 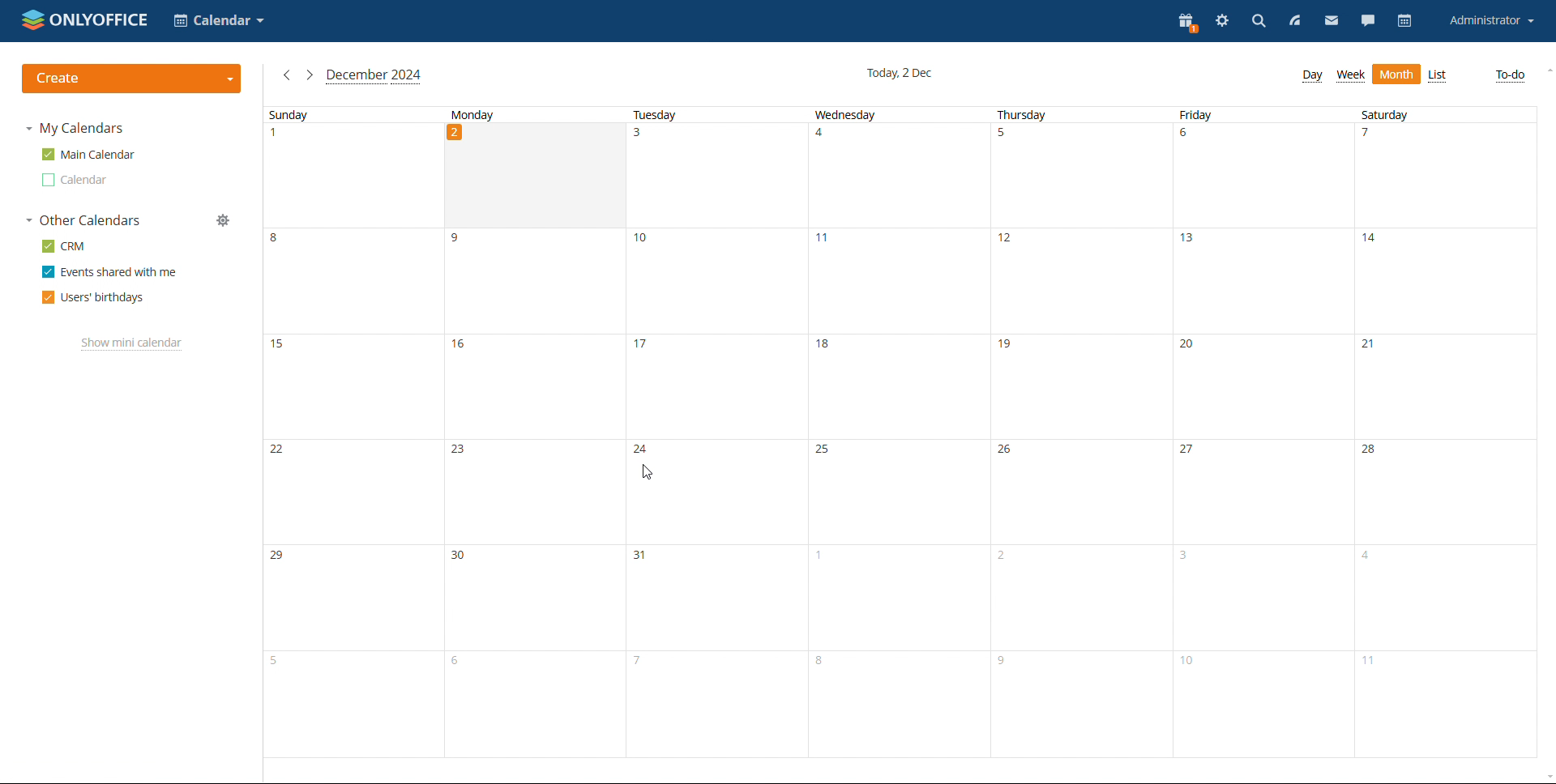 I want to click on 29, so click(x=280, y=557).